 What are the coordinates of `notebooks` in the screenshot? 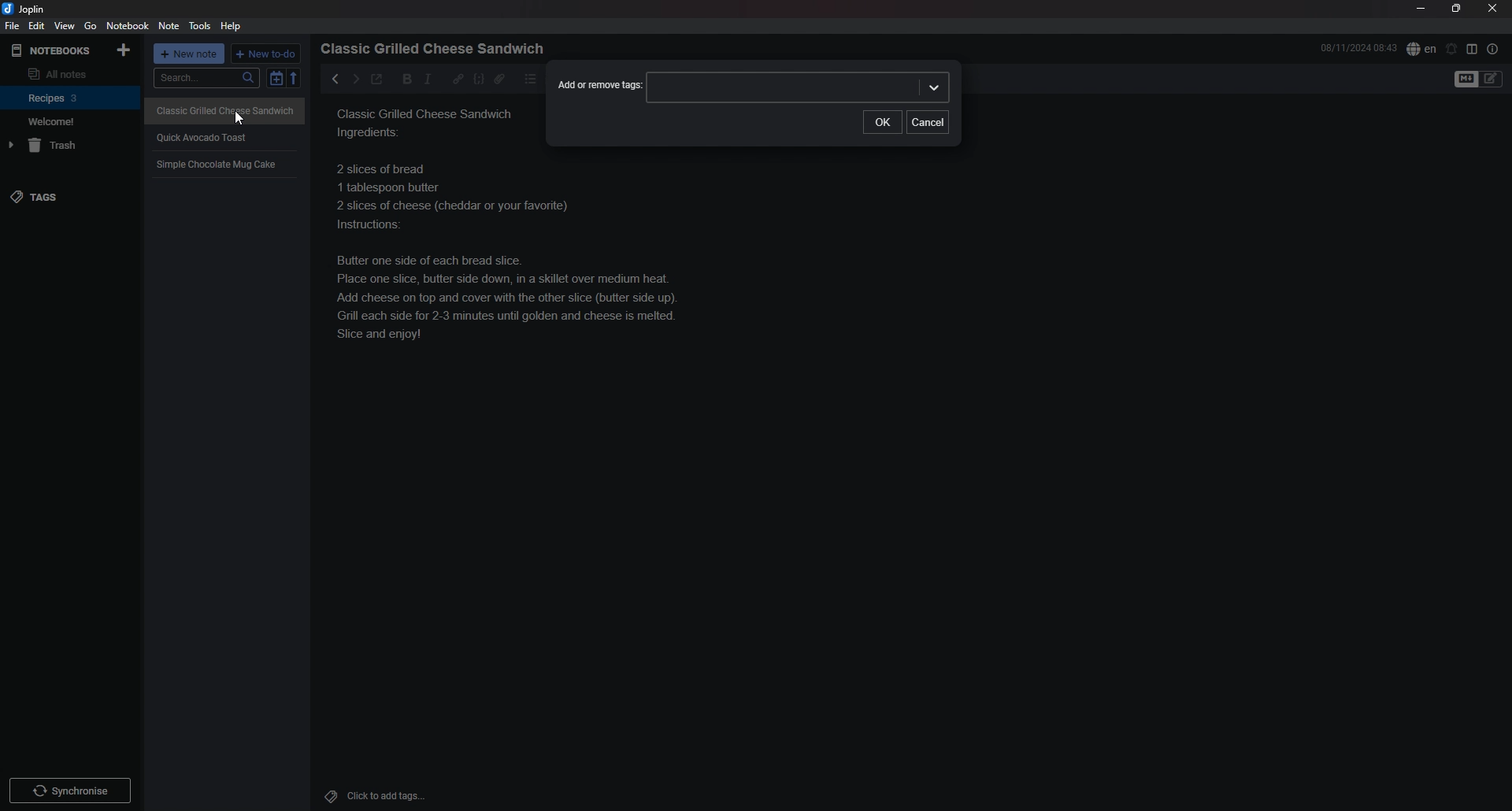 It's located at (53, 50).